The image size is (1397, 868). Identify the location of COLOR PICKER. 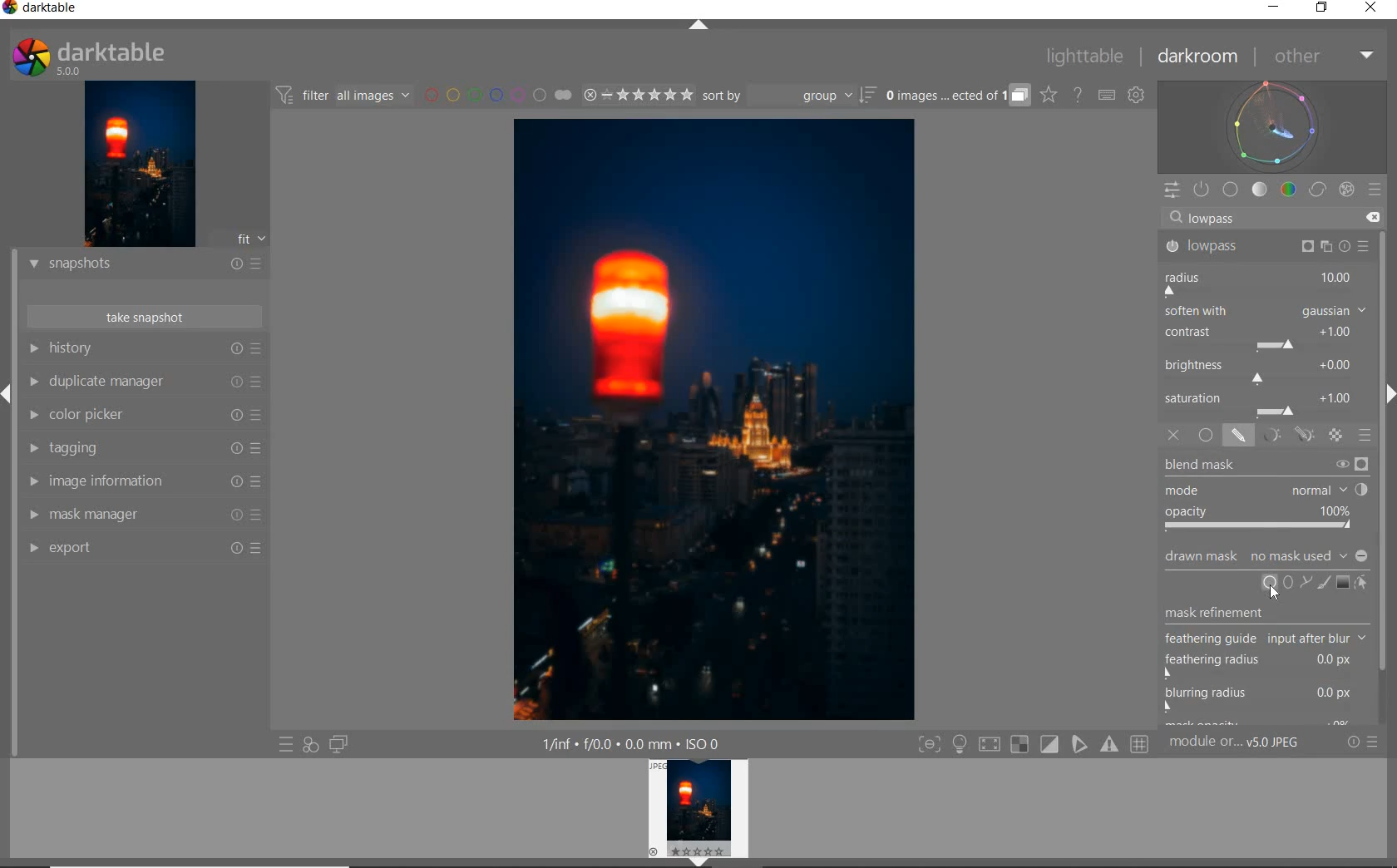
(146, 416).